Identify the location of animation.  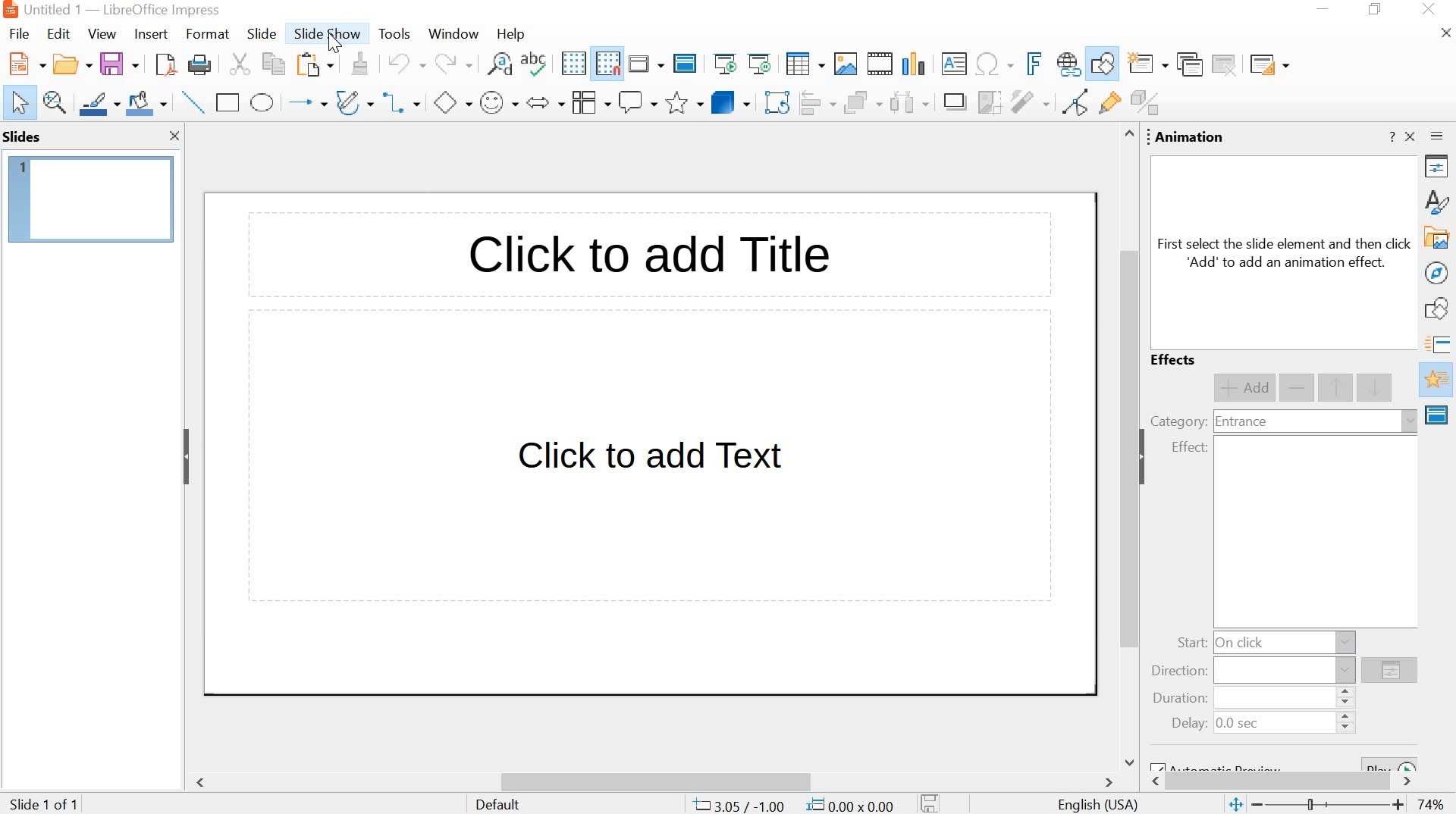
(1438, 380).